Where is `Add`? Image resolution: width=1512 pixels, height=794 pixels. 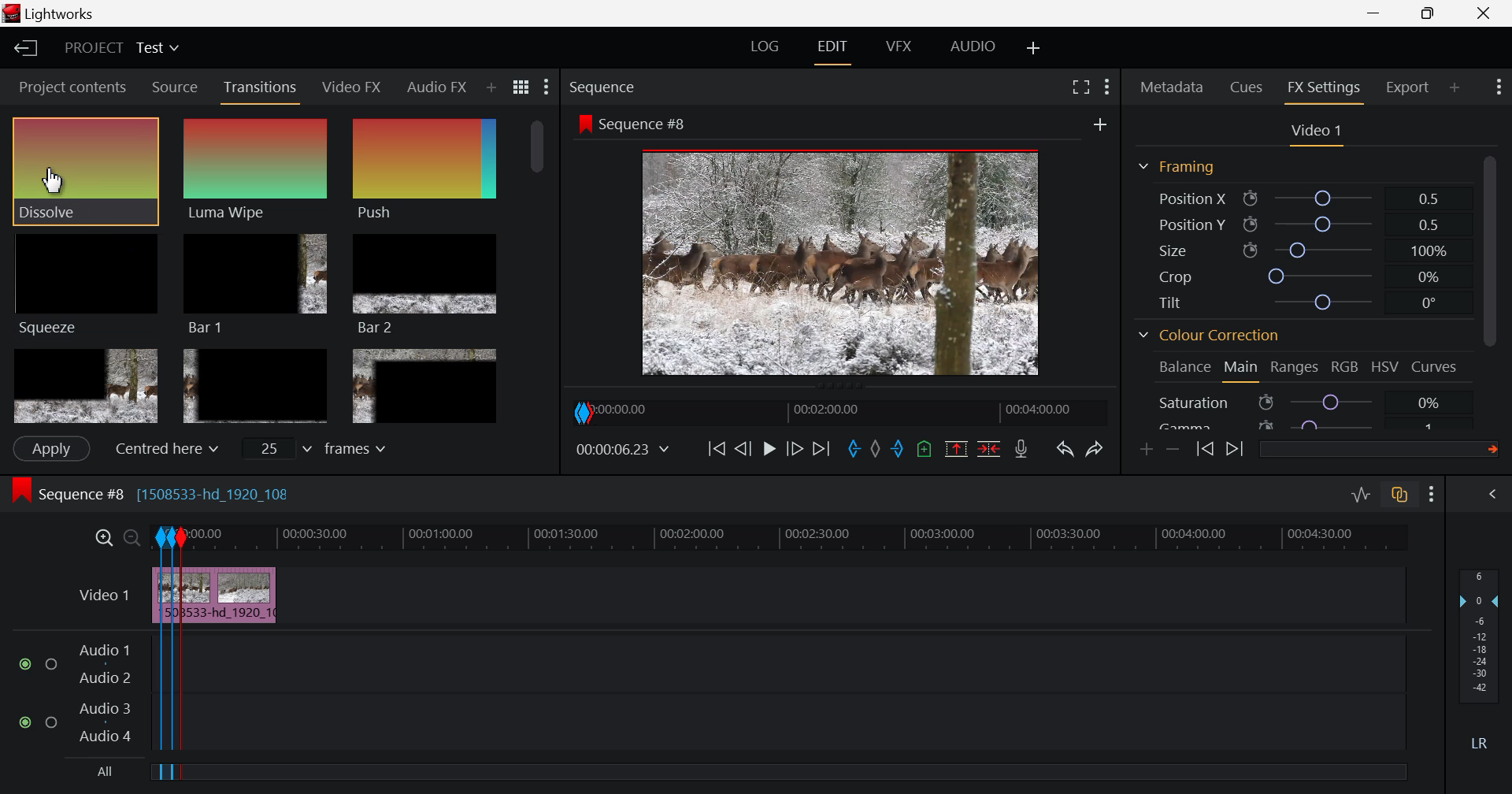
Add is located at coordinates (1100, 124).